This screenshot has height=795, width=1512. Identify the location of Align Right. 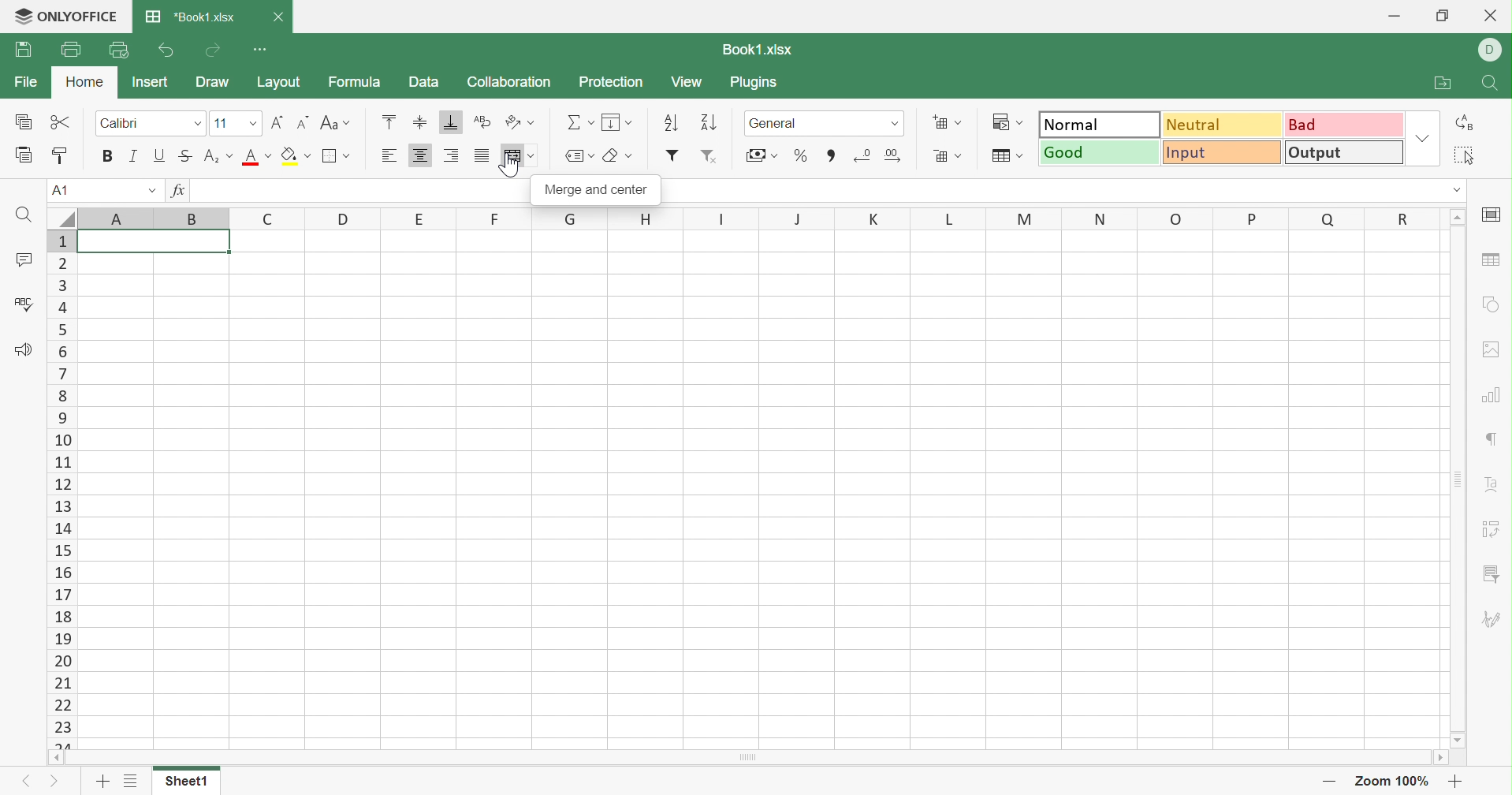
(454, 155).